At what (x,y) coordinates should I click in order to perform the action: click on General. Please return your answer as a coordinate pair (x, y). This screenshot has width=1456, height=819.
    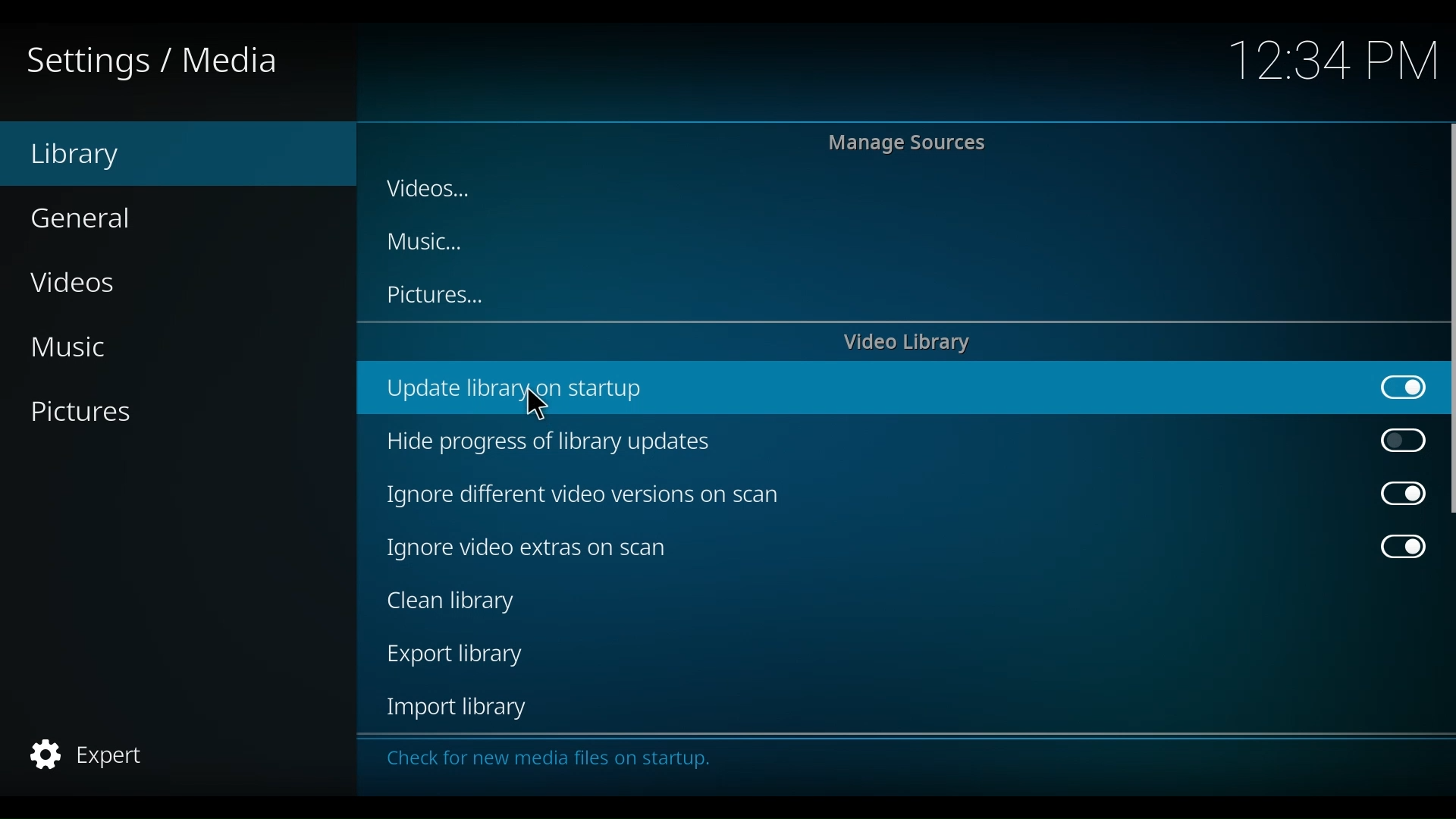
    Looking at the image, I should click on (90, 216).